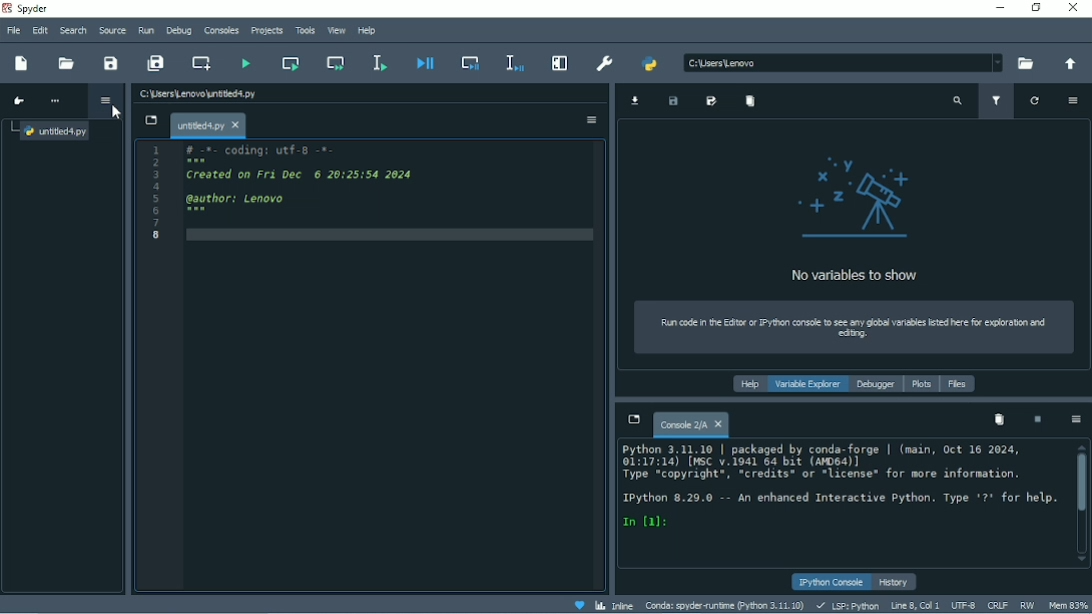  What do you see at coordinates (342, 198) in the screenshot?
I see `19 -e- codingt utt-p -o-
§ Created on pri onc o z0izsise 20s

S awthors onovo

io

8` at bounding box center [342, 198].